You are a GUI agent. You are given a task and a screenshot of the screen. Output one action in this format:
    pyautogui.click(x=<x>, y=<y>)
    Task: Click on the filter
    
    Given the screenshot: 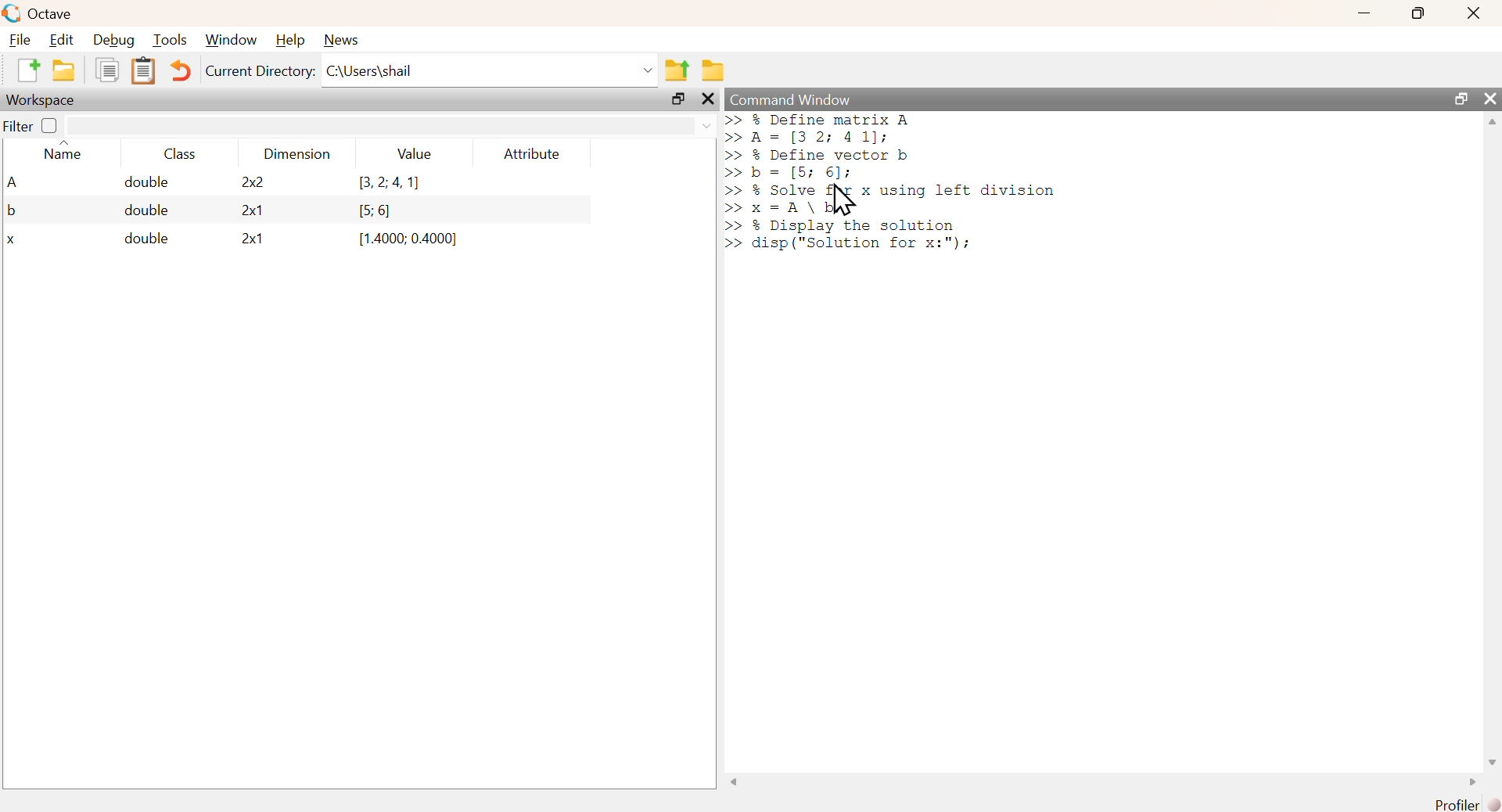 What is the action you would take?
    pyautogui.click(x=18, y=127)
    